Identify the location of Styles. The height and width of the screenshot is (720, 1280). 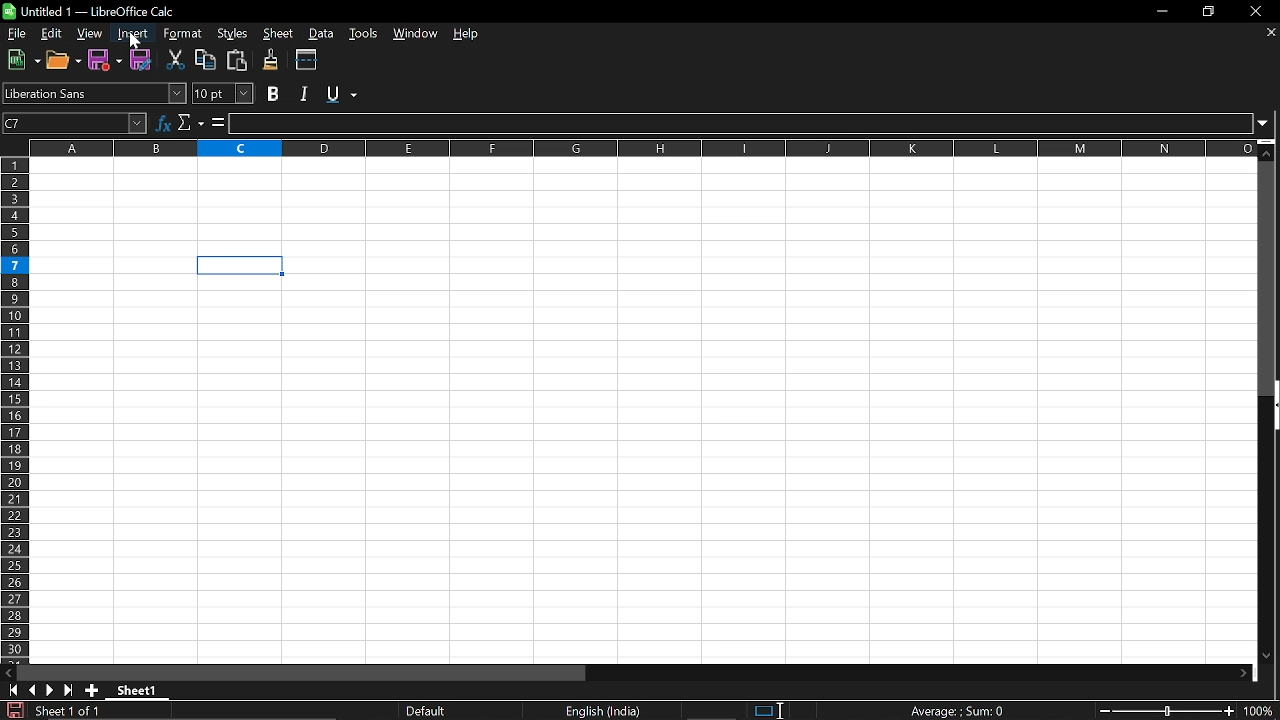
(235, 32).